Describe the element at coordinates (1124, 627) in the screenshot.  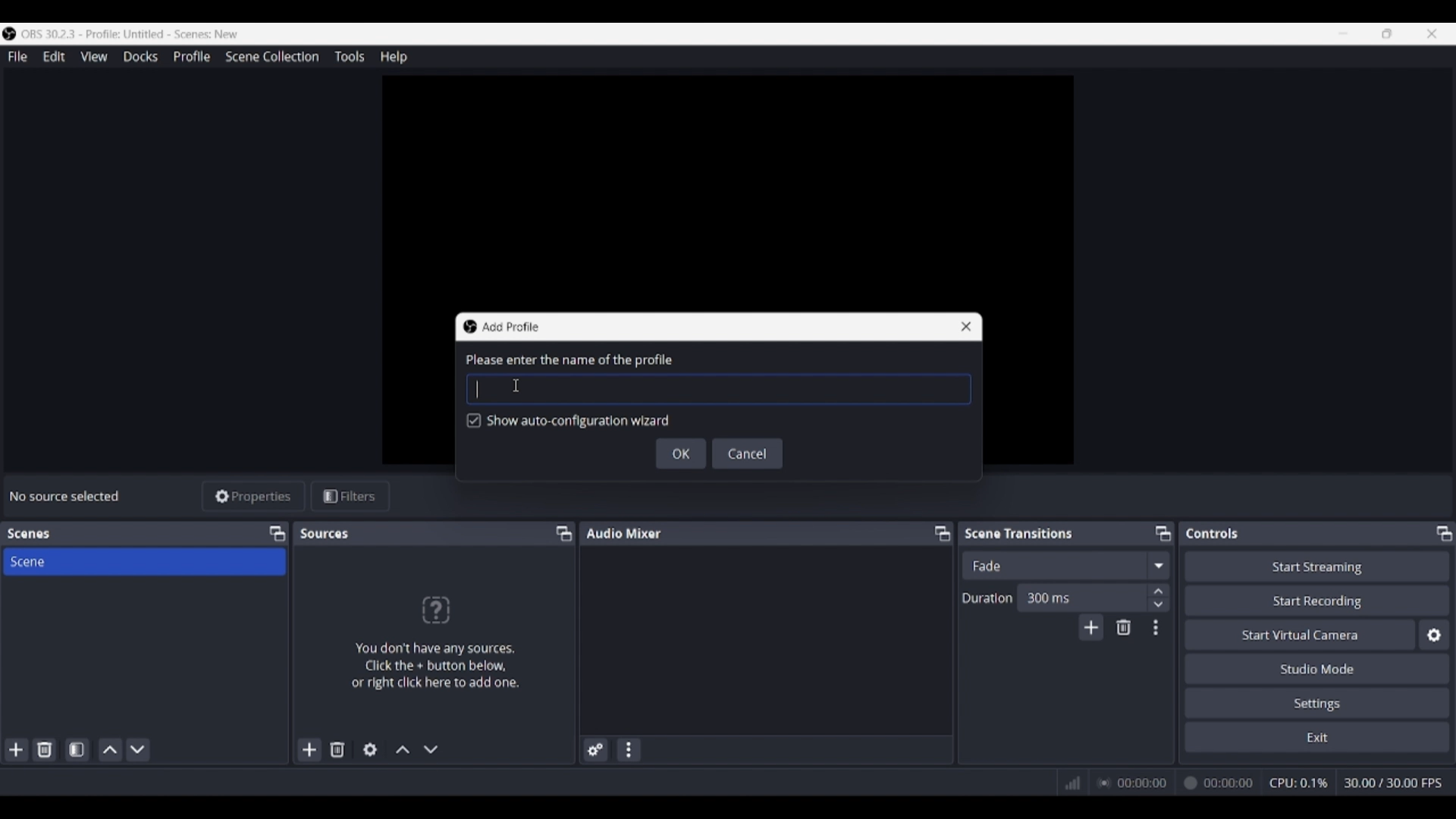
I see `Remove configurble transition` at that location.